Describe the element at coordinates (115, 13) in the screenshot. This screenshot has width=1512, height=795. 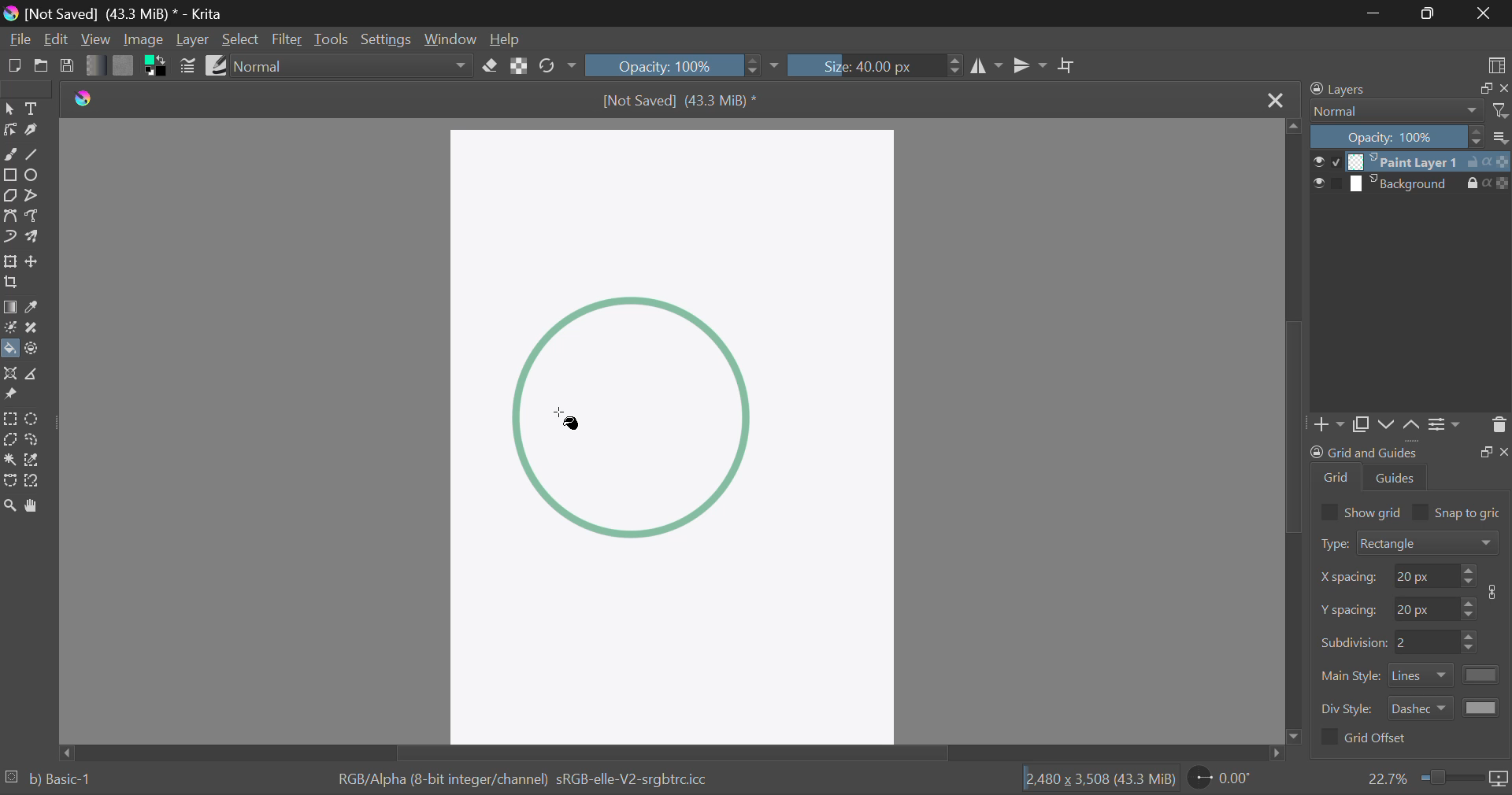
I see `Window Title` at that location.